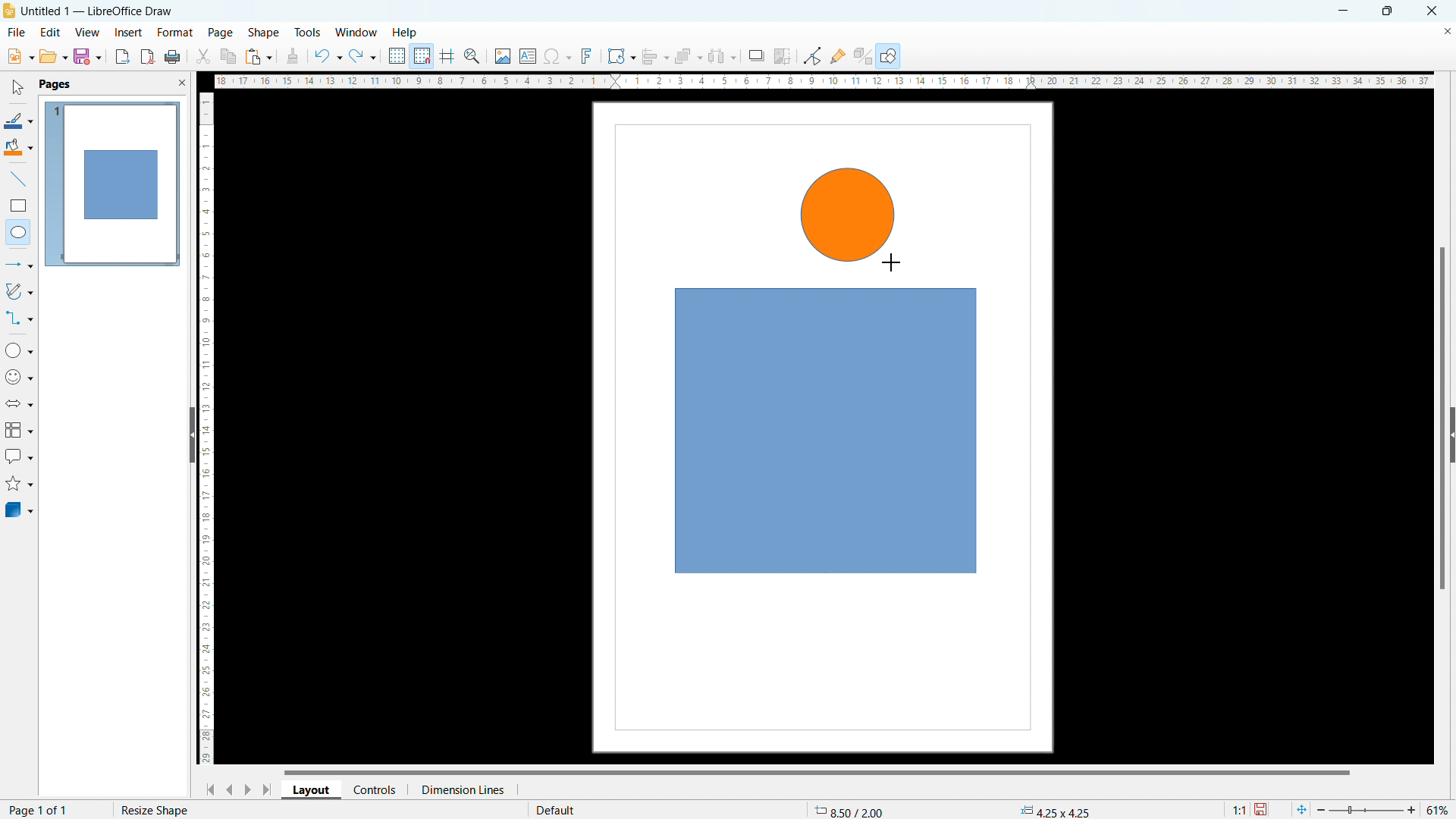 Image resolution: width=1456 pixels, height=819 pixels. Describe the element at coordinates (18, 231) in the screenshot. I see `elipse` at that location.